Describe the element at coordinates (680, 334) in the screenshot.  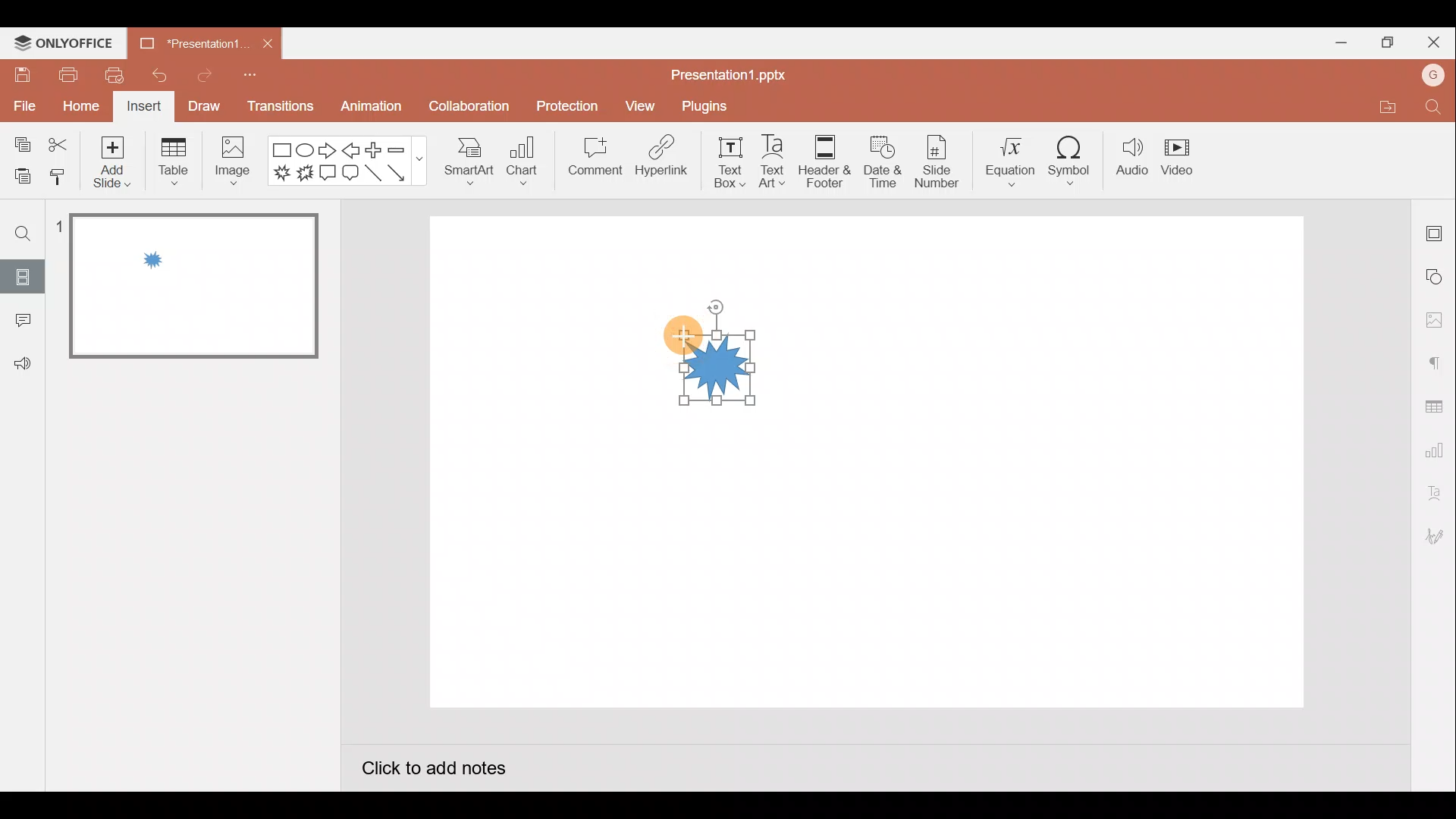
I see `Cursor on explosion shape 1` at that location.